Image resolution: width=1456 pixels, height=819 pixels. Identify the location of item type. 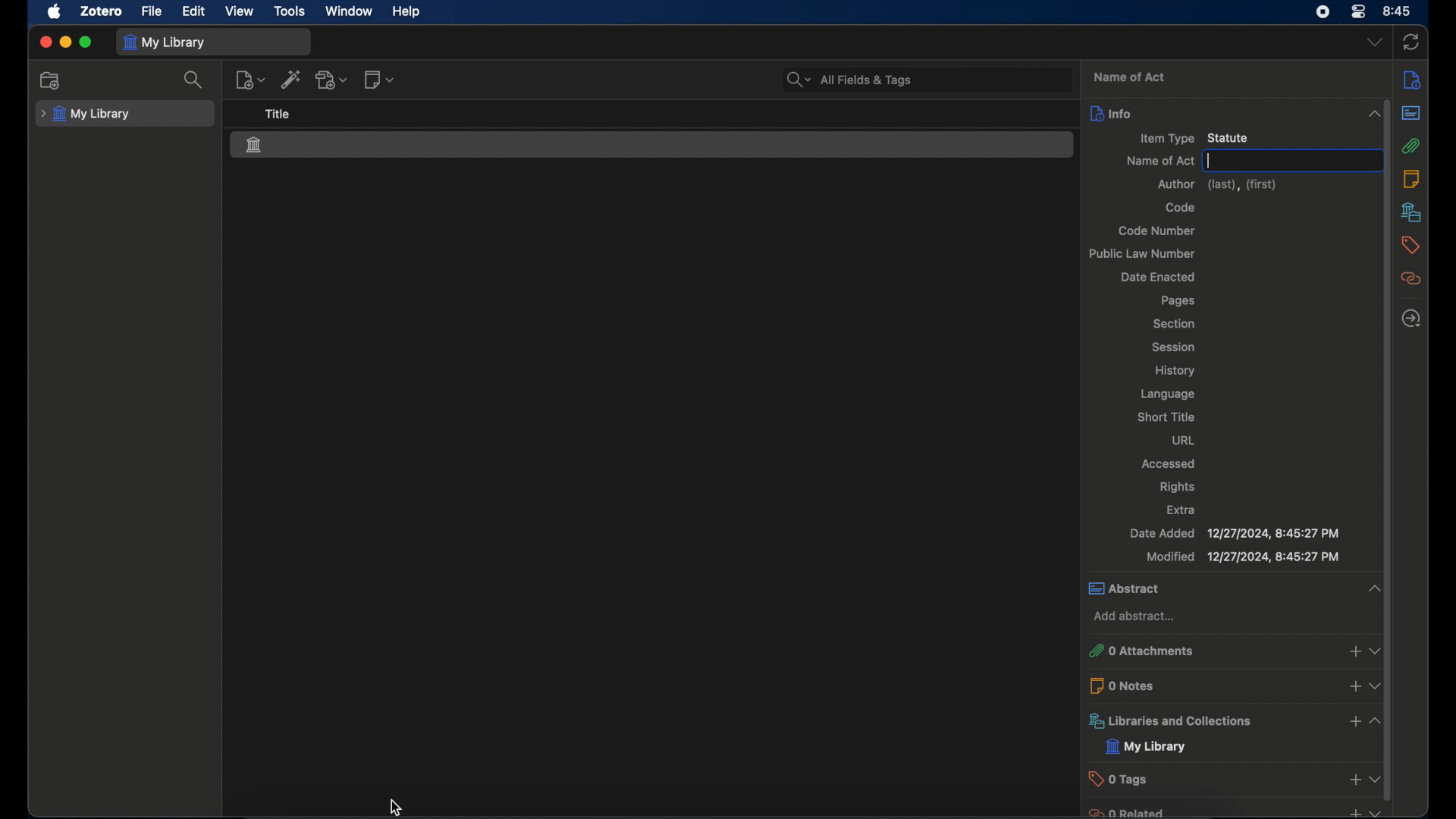
(1196, 137).